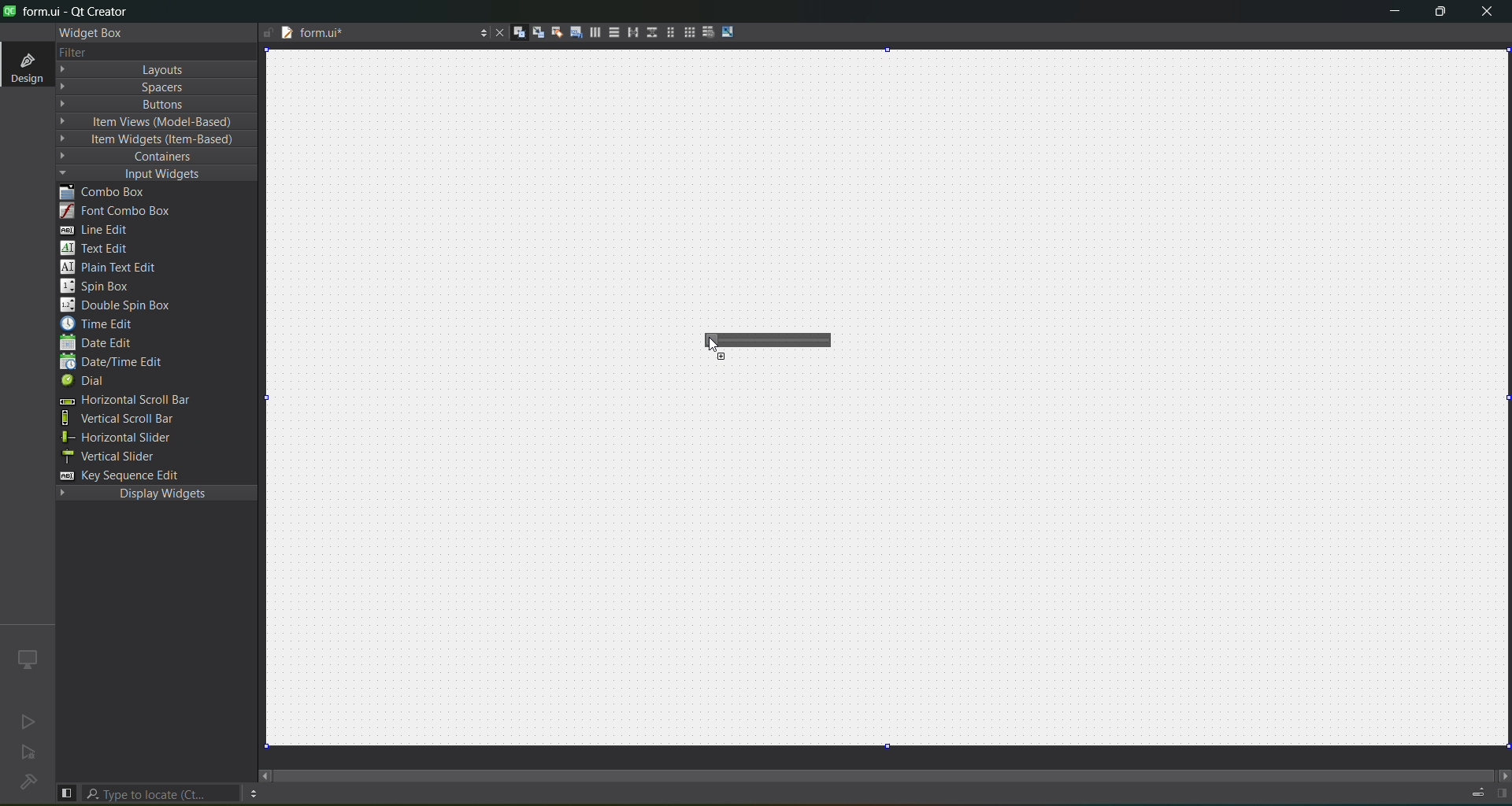 This screenshot has height=806, width=1512. Describe the element at coordinates (68, 792) in the screenshot. I see `show left` at that location.